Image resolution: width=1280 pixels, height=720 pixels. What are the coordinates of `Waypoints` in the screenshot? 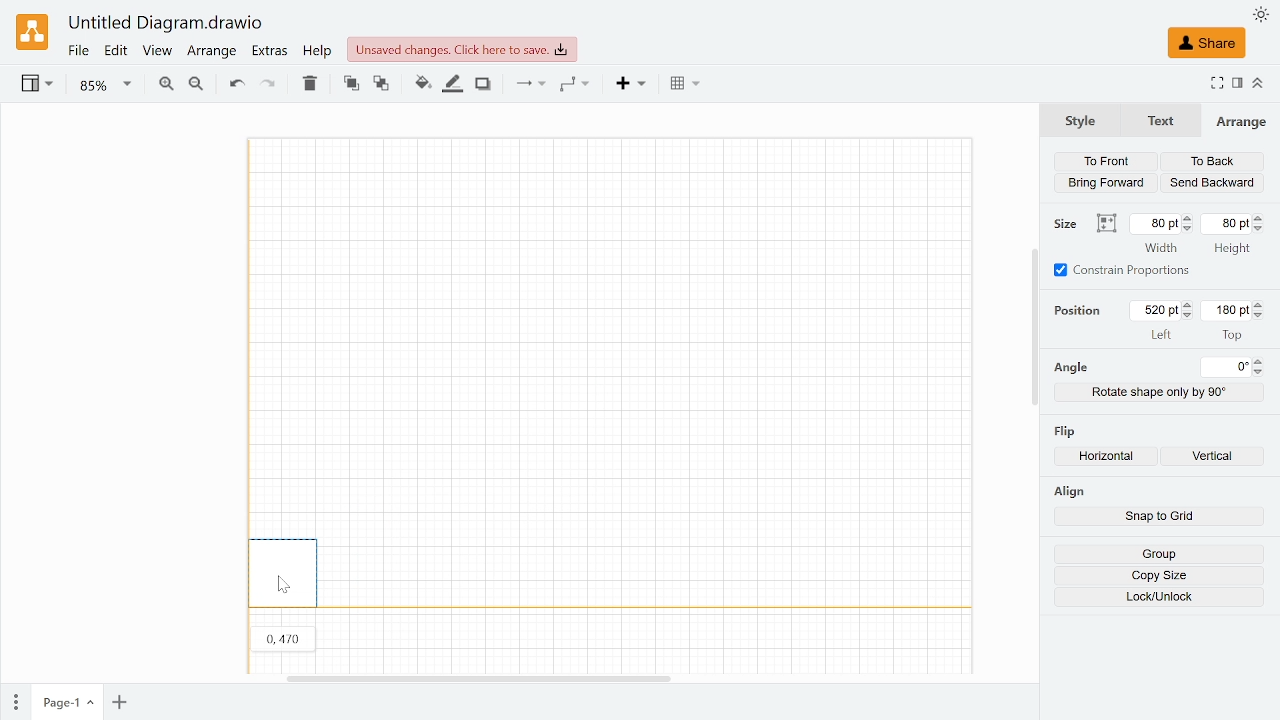 It's located at (575, 85).